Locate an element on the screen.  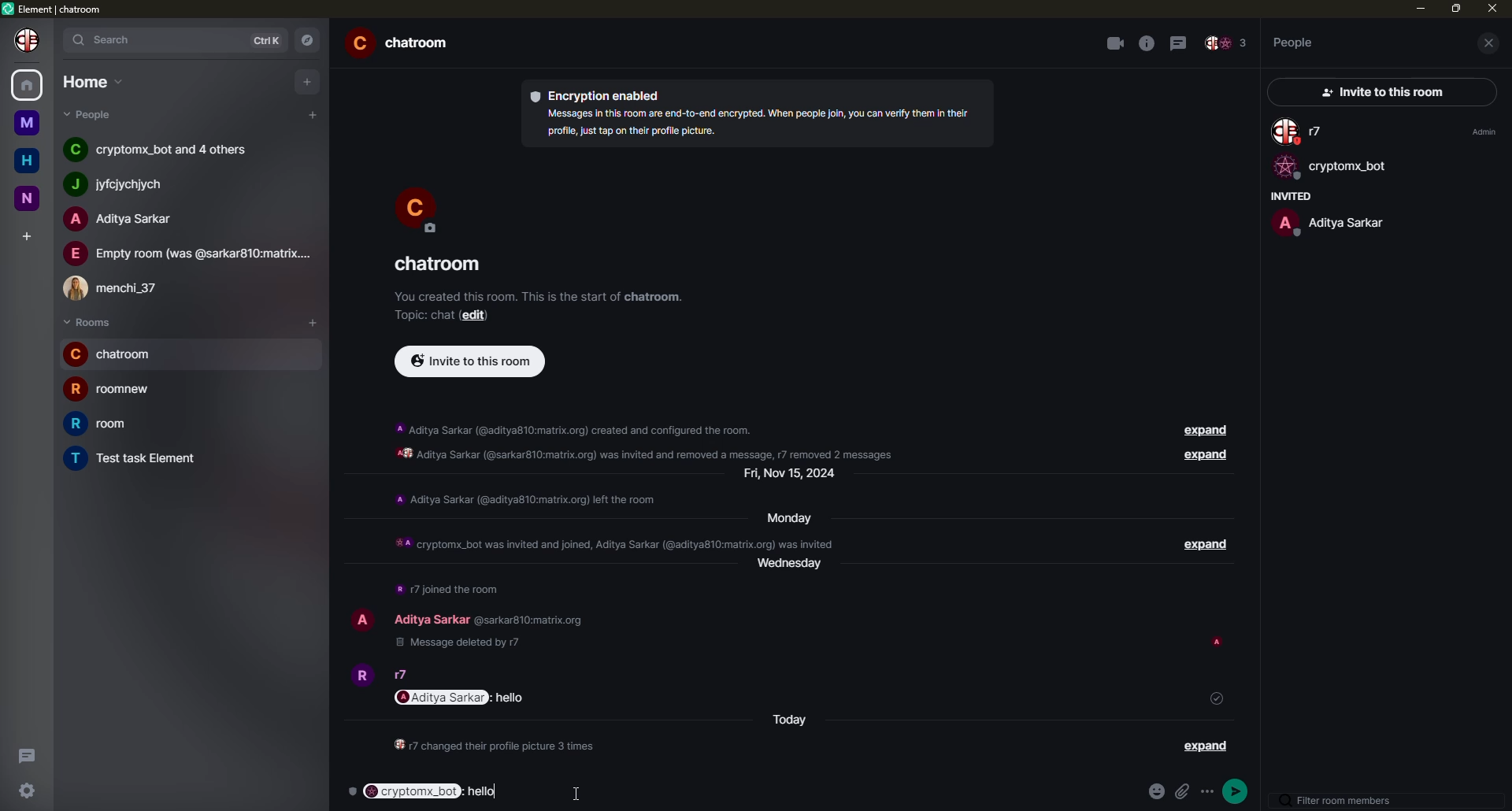
navigator is located at coordinates (312, 40).